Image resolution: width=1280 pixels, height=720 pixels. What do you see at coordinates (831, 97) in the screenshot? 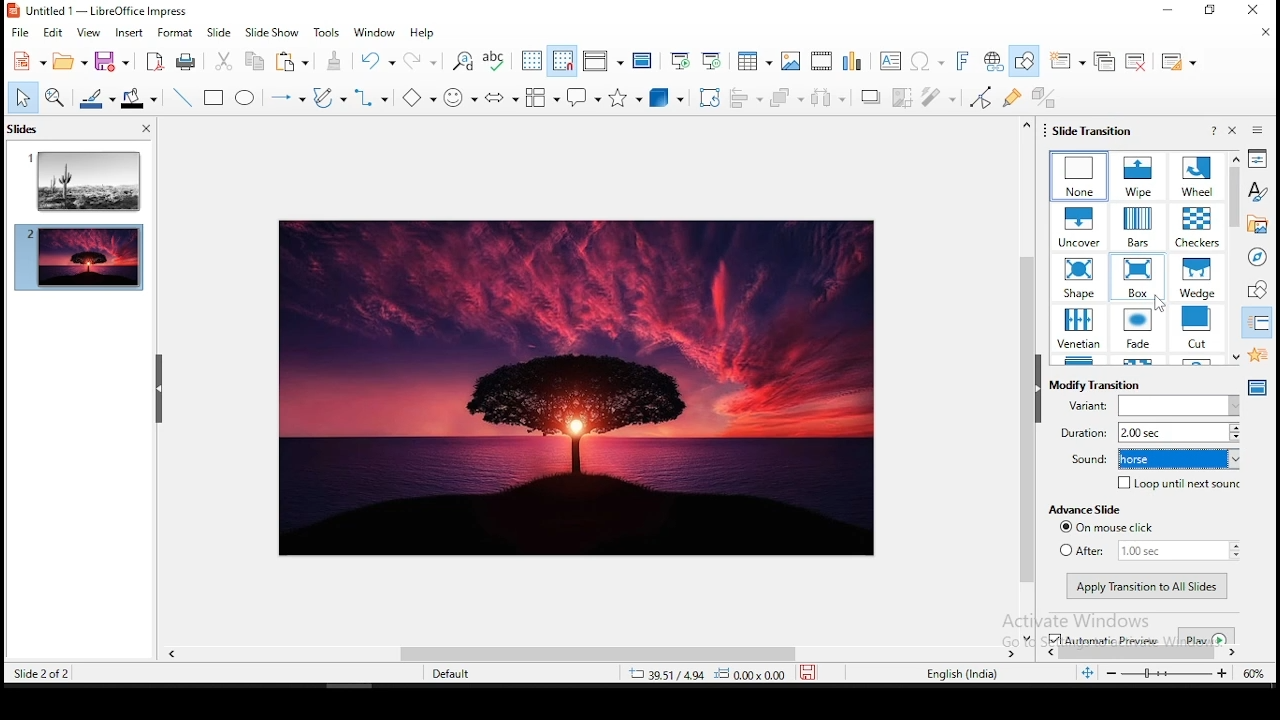
I see `distribute` at bounding box center [831, 97].